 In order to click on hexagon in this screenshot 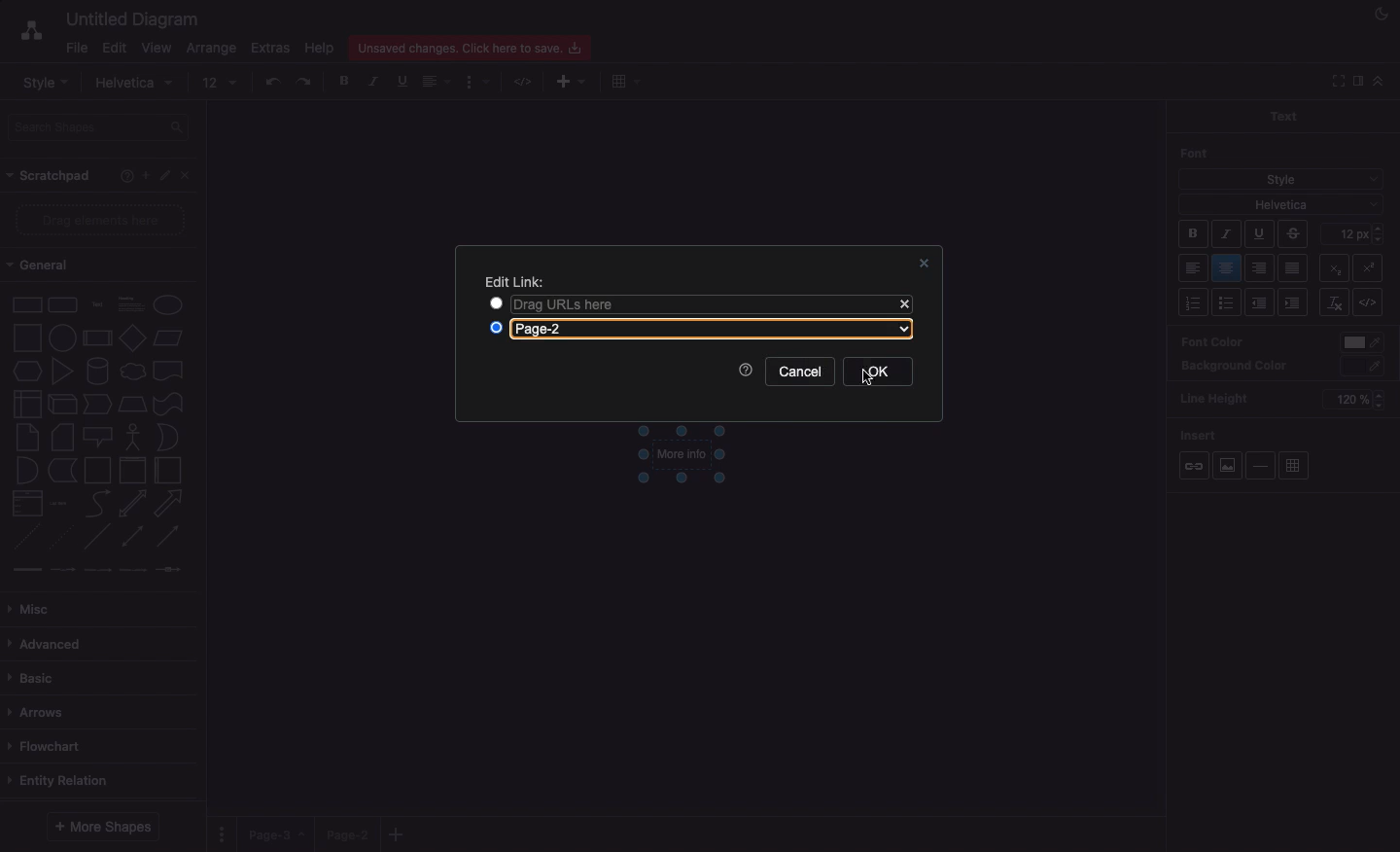, I will do `click(28, 372)`.